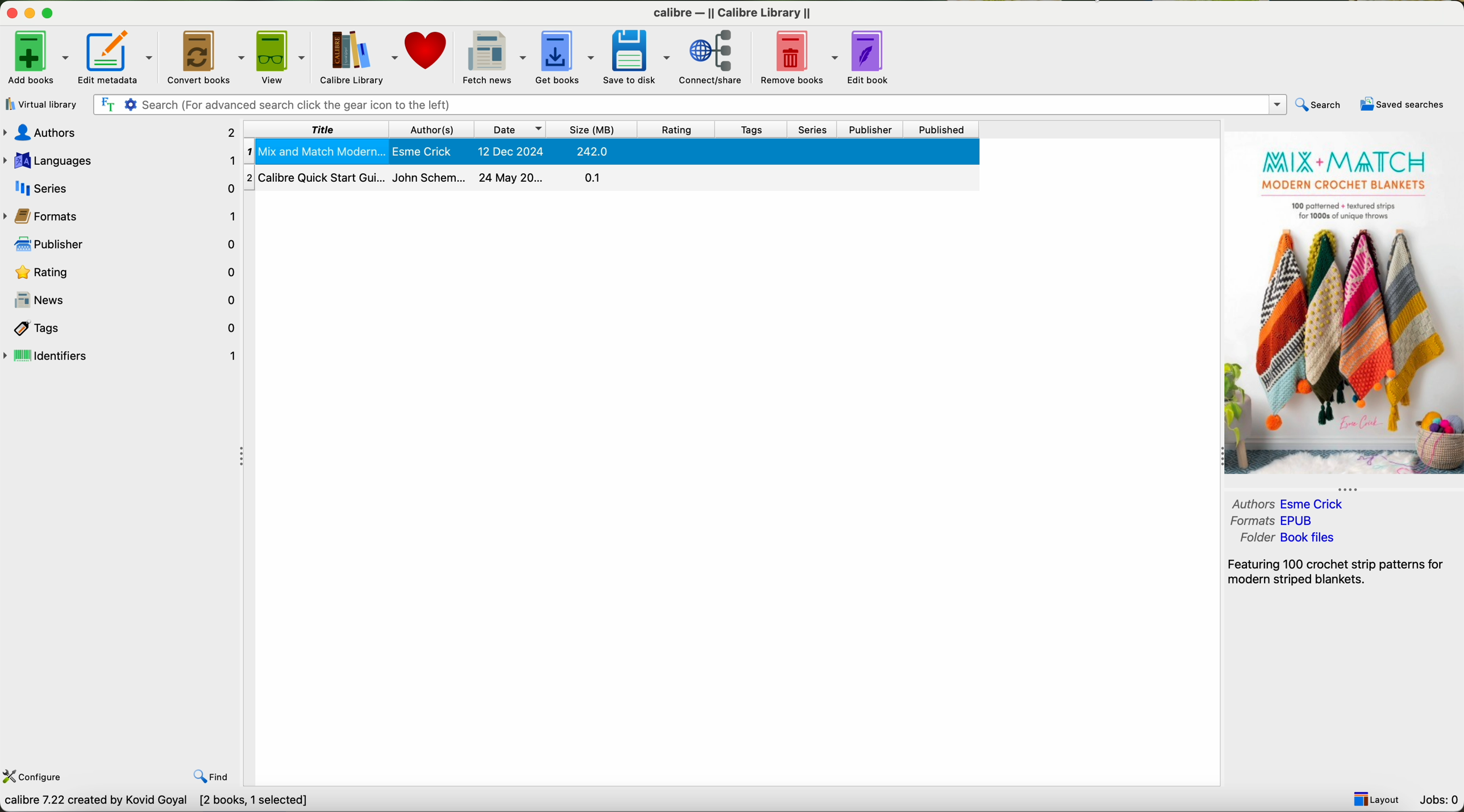 This screenshot has height=812, width=1464. What do you see at coordinates (1287, 538) in the screenshot?
I see `folder` at bounding box center [1287, 538].